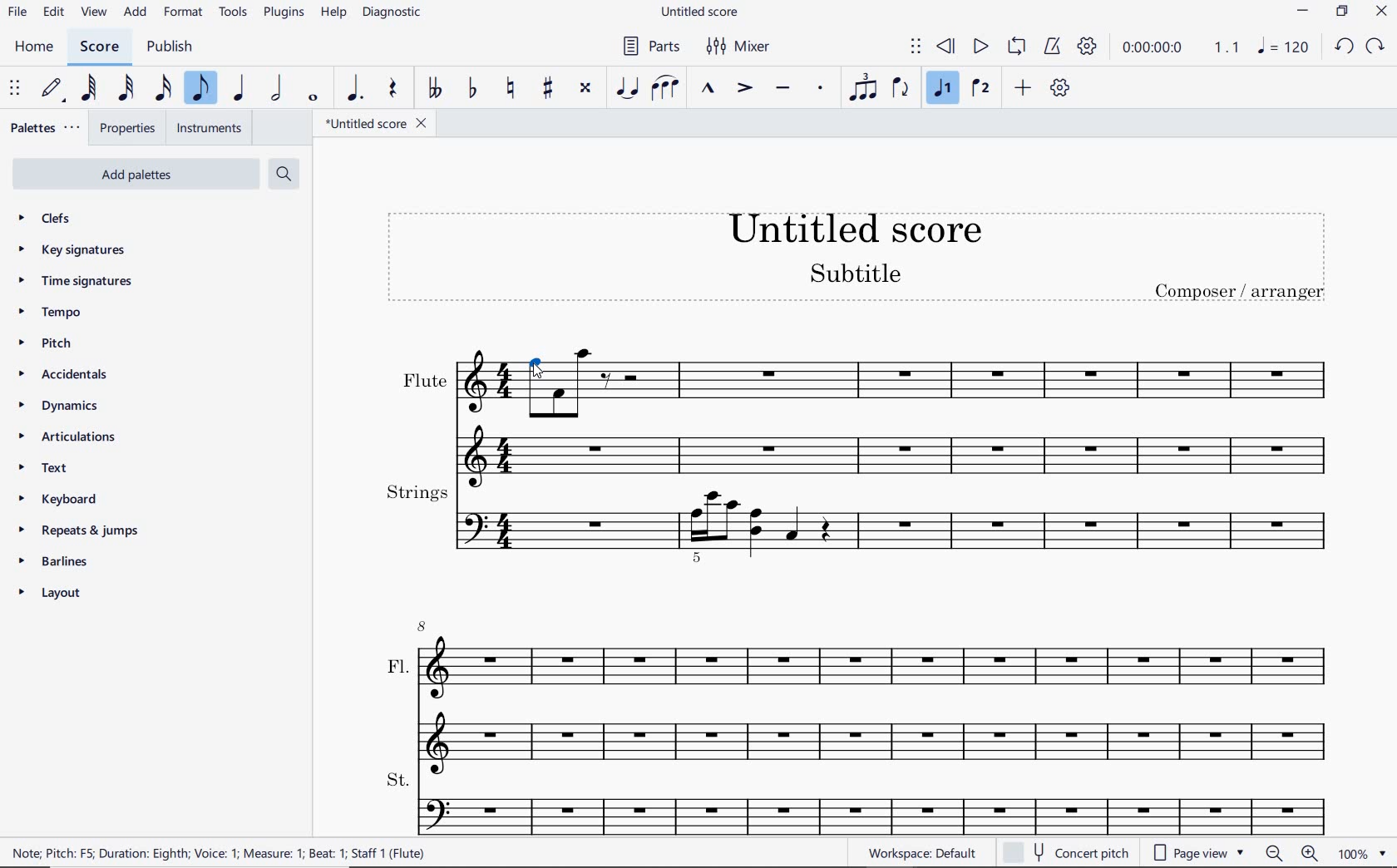 This screenshot has height=868, width=1397. Describe the element at coordinates (54, 560) in the screenshot. I see `barlines` at that location.